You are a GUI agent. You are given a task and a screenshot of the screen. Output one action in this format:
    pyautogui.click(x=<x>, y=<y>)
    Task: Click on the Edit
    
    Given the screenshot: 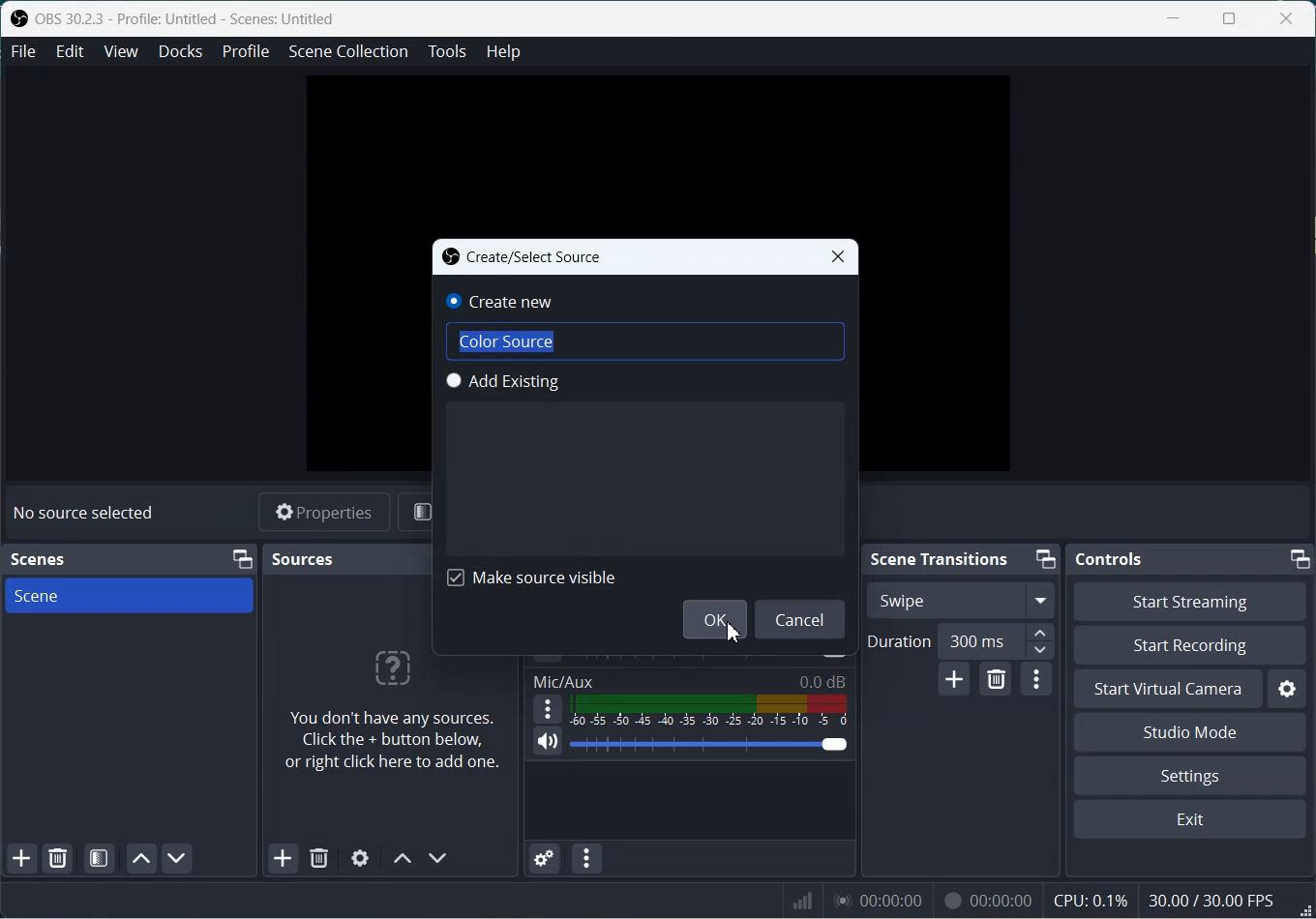 What is the action you would take?
    pyautogui.click(x=70, y=50)
    